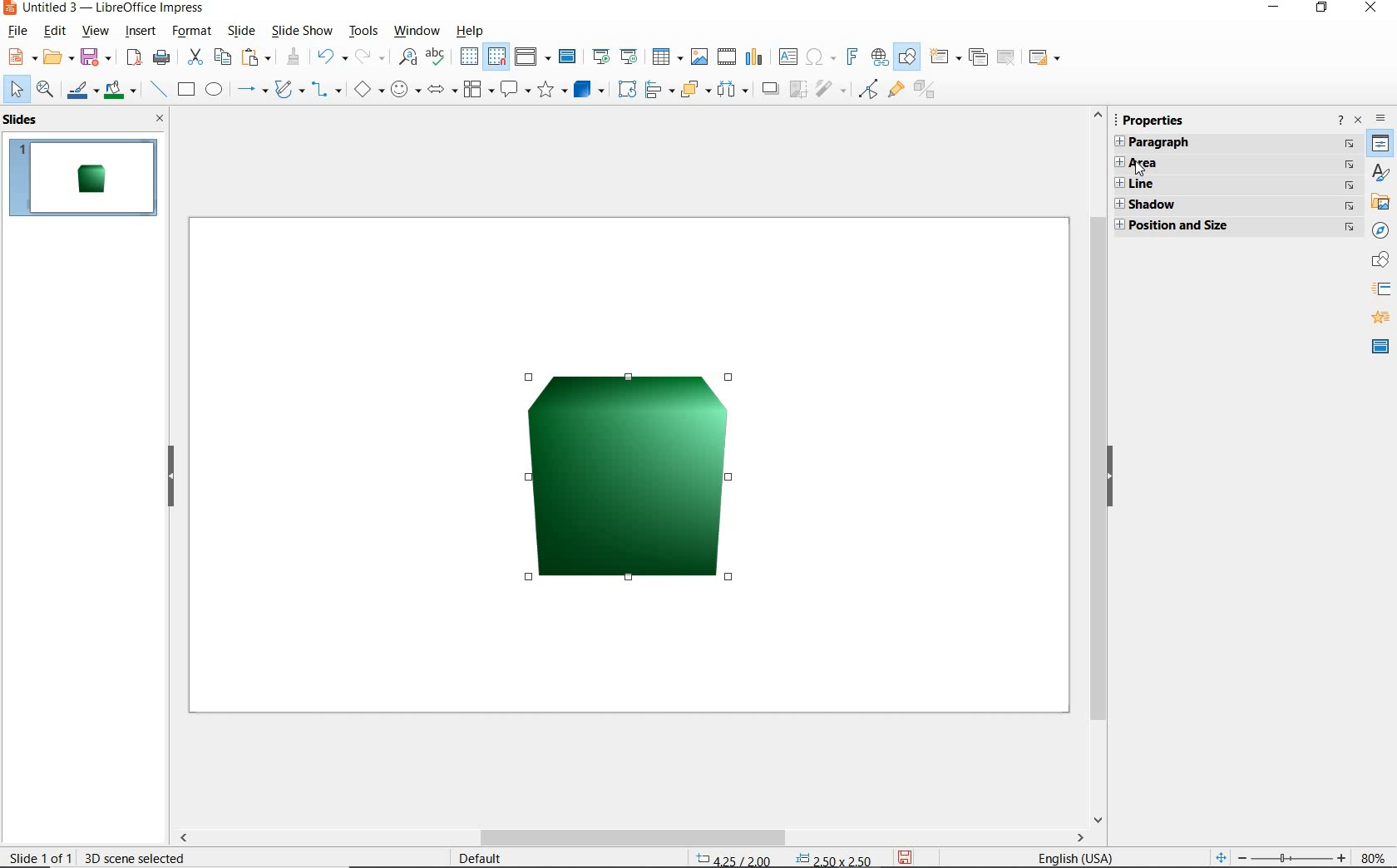  I want to click on insert text box, so click(789, 57).